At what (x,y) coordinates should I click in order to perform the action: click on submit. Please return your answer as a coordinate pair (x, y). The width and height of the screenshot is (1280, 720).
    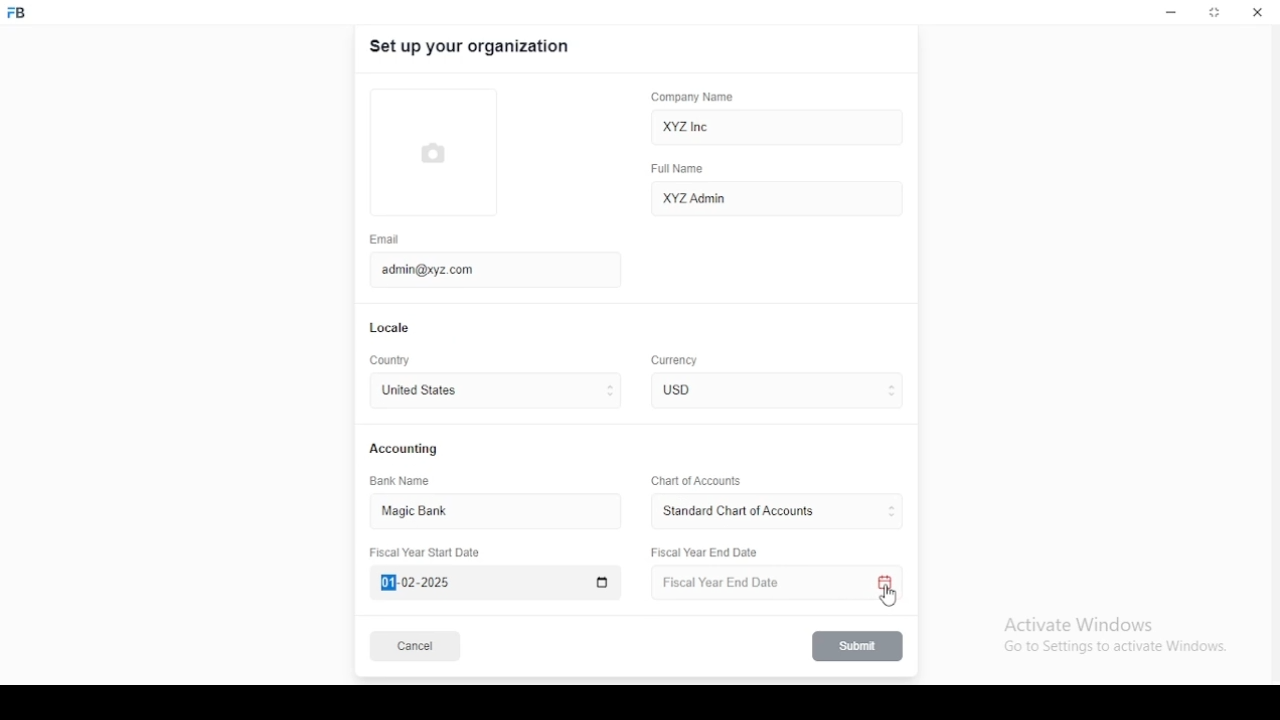
    Looking at the image, I should click on (859, 646).